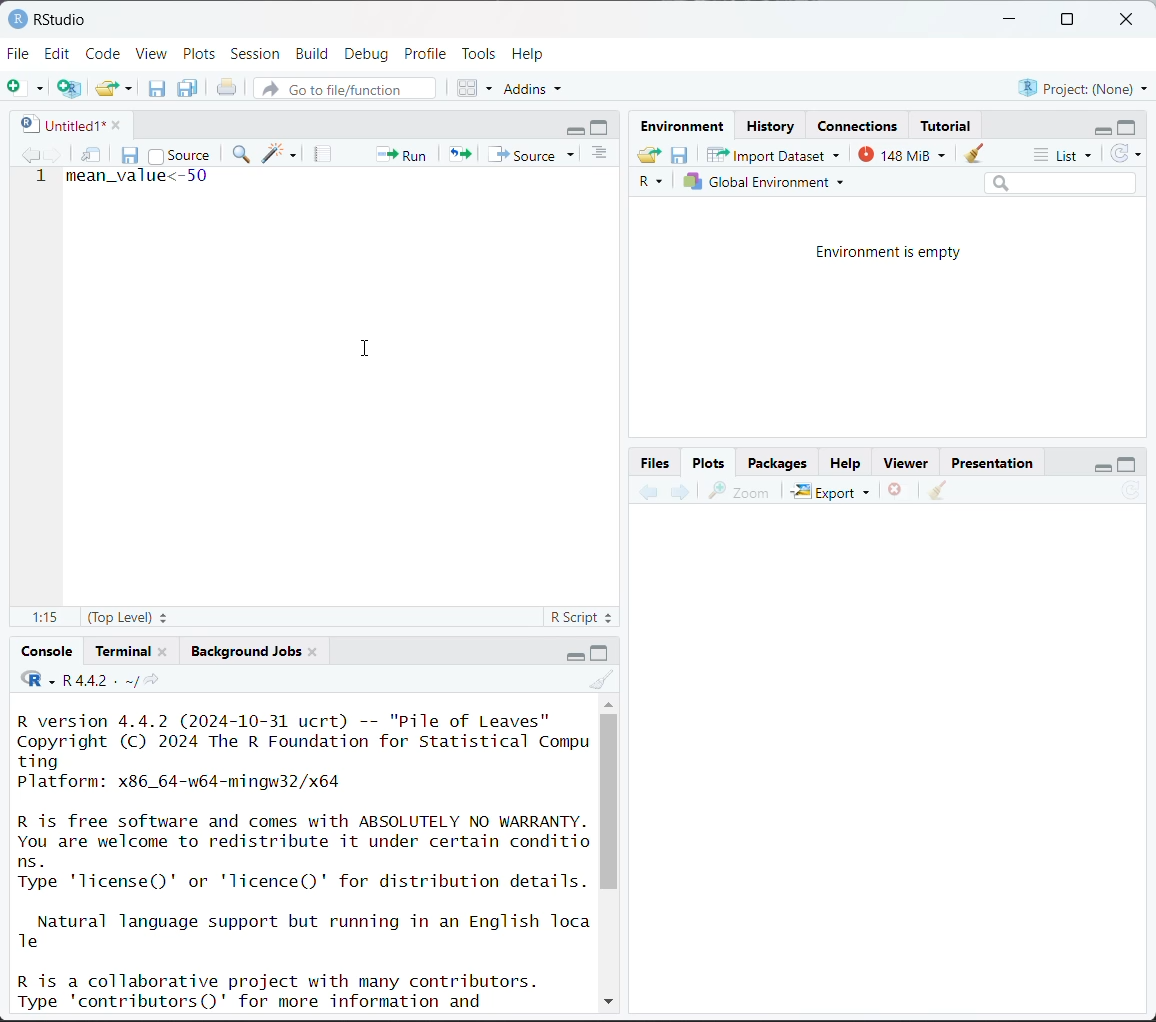 Image resolution: width=1156 pixels, height=1022 pixels. I want to click on Presentation, so click(993, 464).